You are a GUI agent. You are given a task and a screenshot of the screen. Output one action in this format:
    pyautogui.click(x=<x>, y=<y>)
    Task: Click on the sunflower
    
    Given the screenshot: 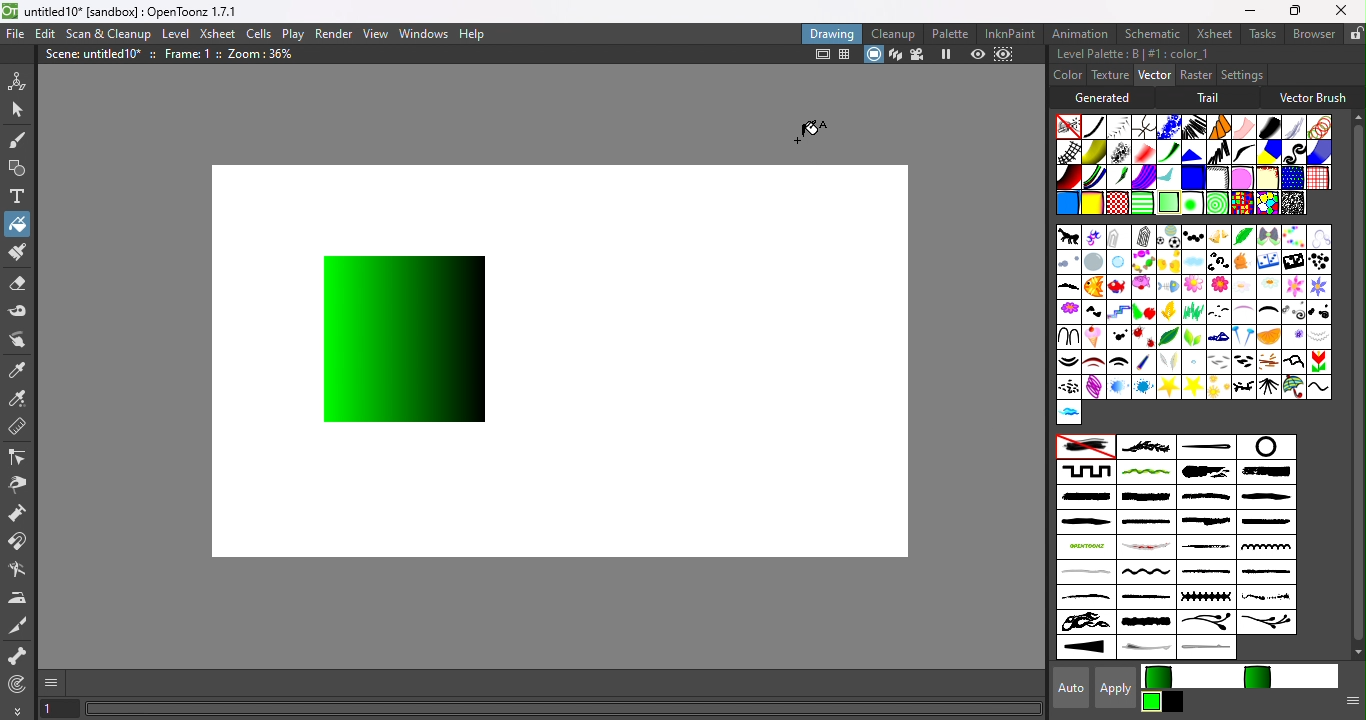 What is the action you would take?
    pyautogui.click(x=1219, y=387)
    